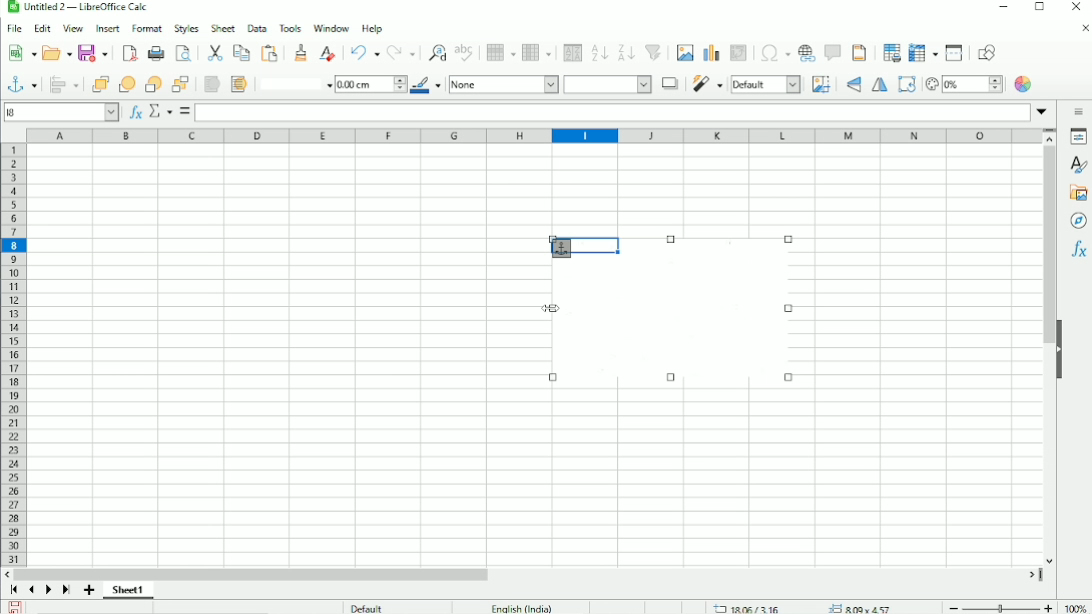 The height and width of the screenshot is (614, 1092). What do you see at coordinates (20, 83) in the screenshot?
I see `Select anchor for objects` at bounding box center [20, 83].